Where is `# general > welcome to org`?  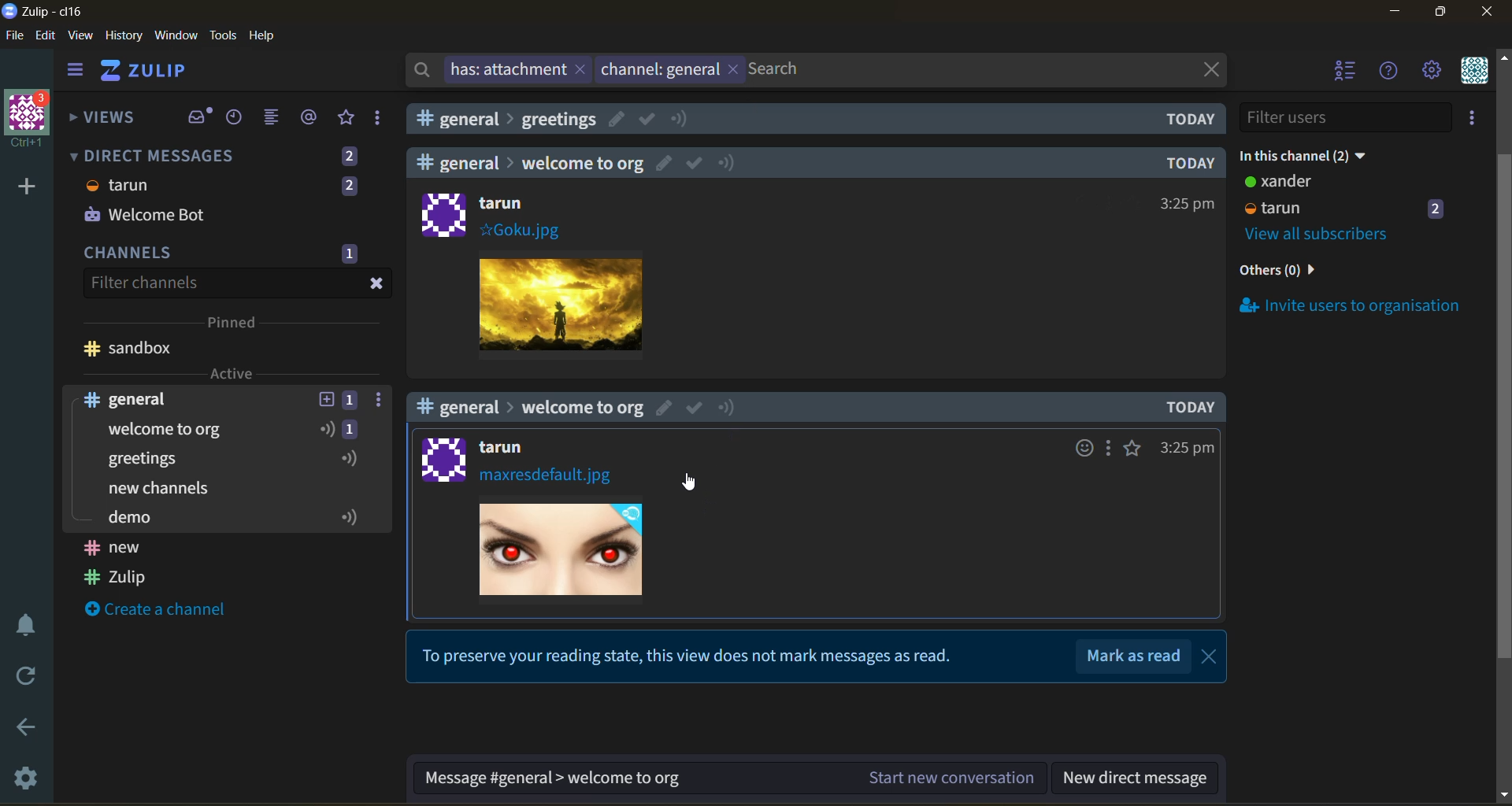
# general > welcome to org is located at coordinates (531, 162).